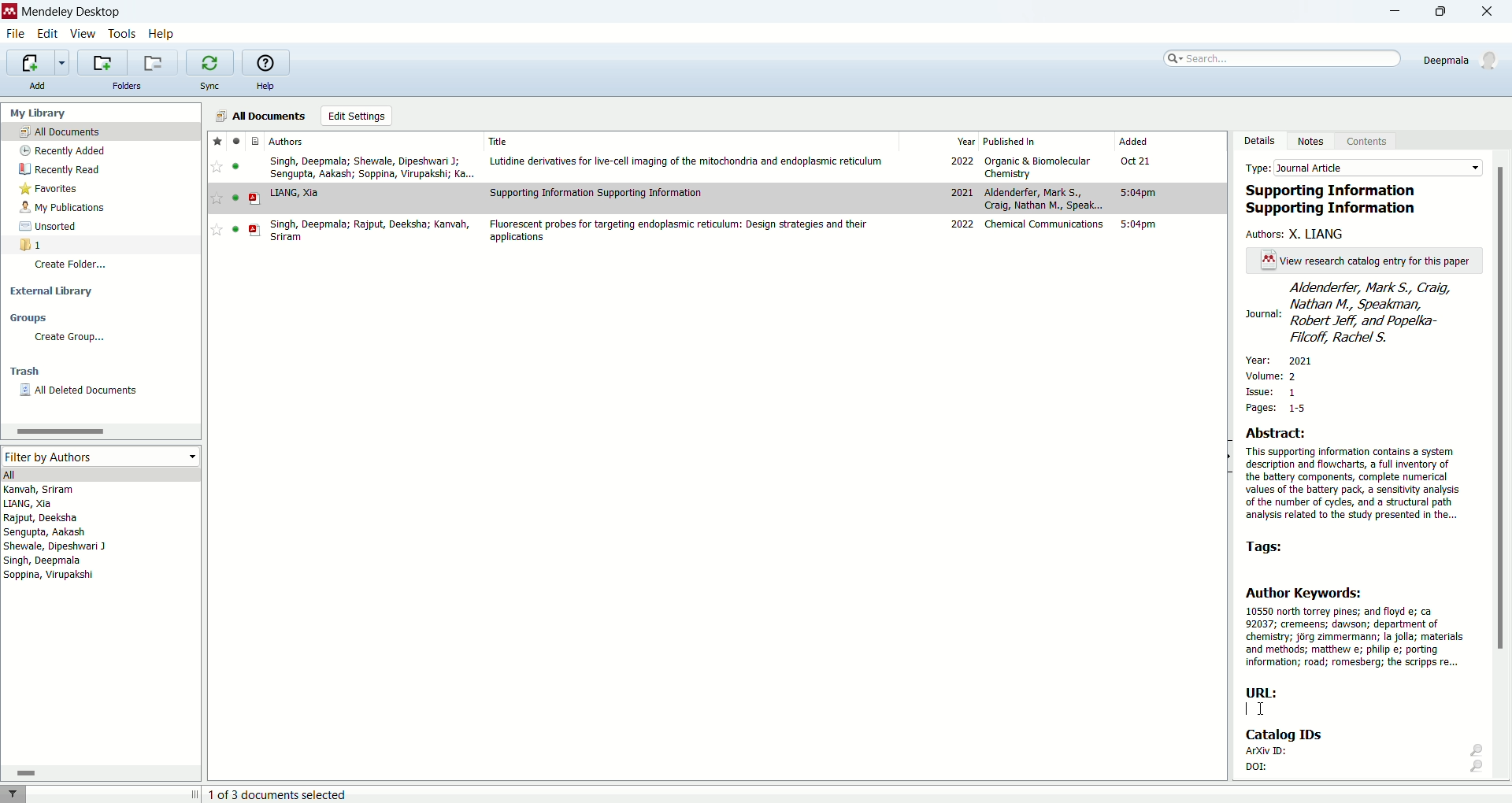  I want to click on close, so click(1488, 11).